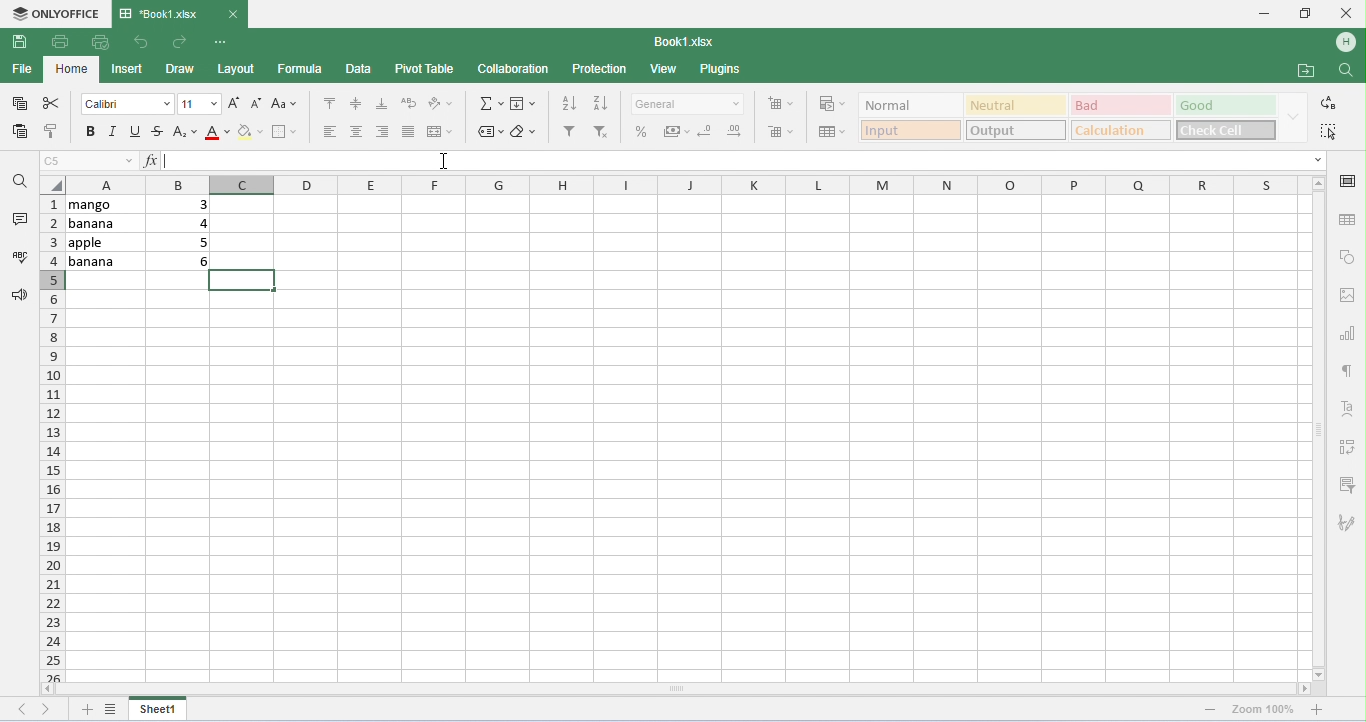  Describe the element at coordinates (1318, 427) in the screenshot. I see `vertical scroll bar` at that location.